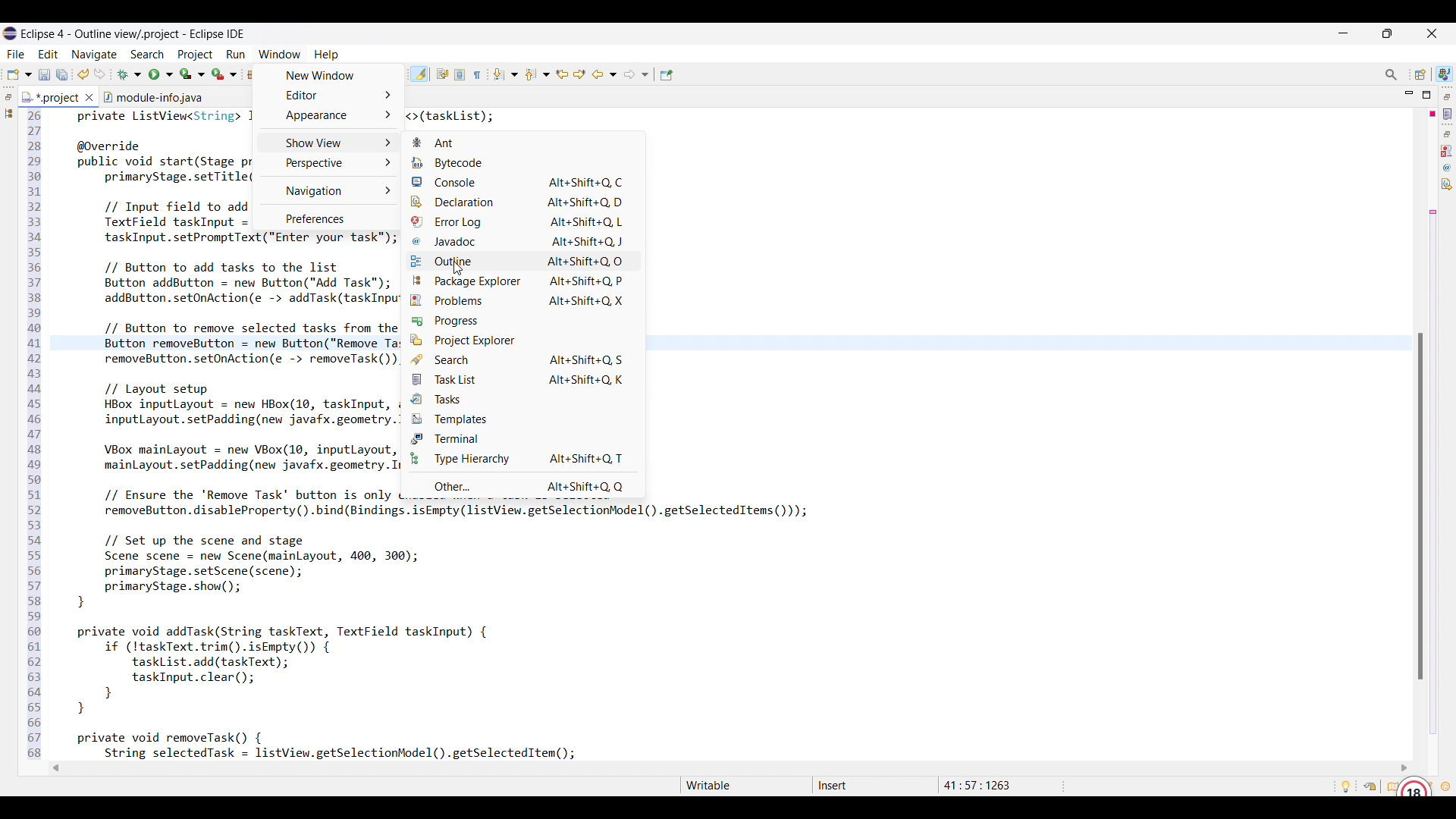  Describe the element at coordinates (34, 436) in the screenshot. I see `line number` at that location.